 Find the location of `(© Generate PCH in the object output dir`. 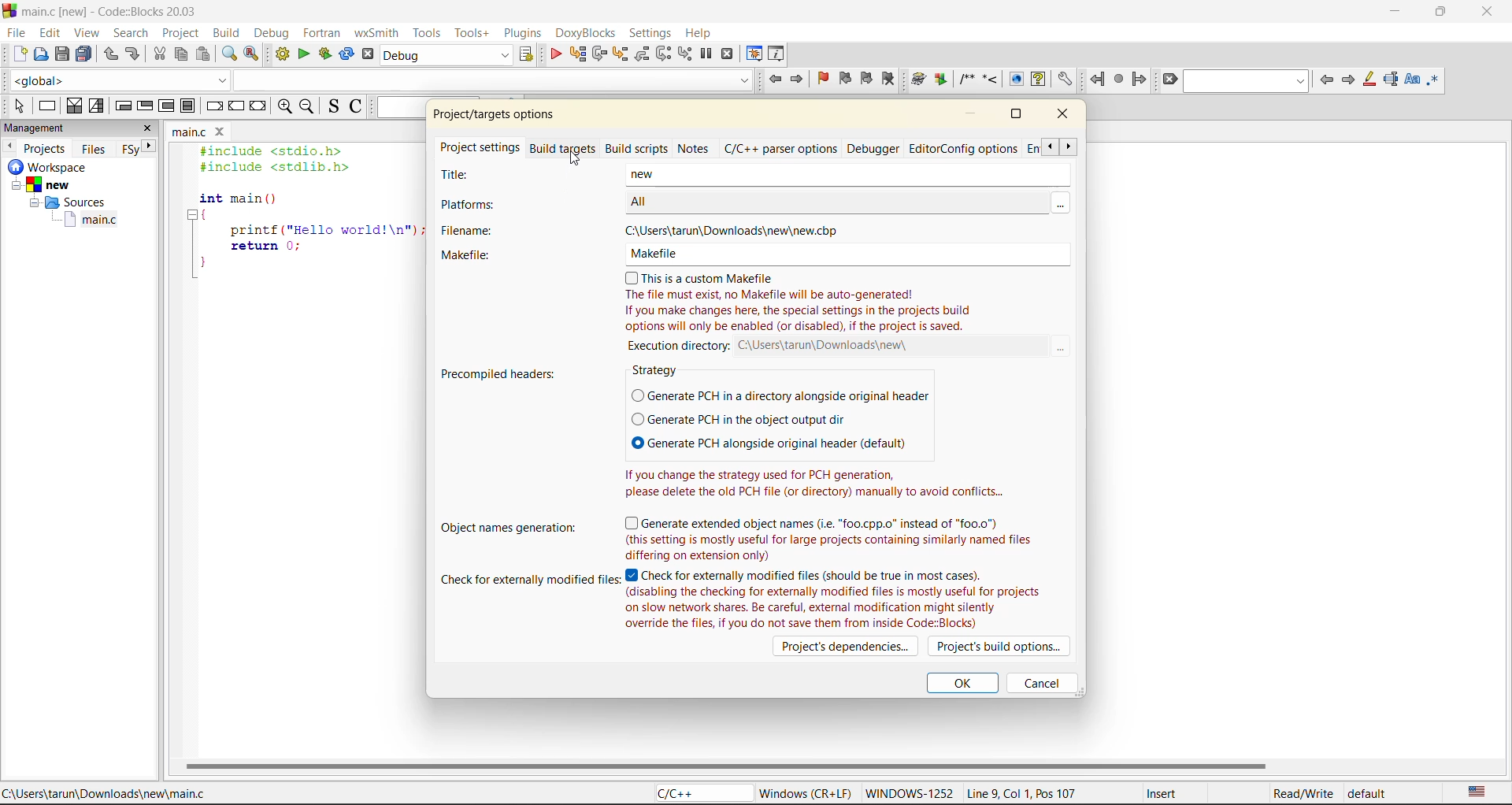

(© Generate PCH in the object output dir is located at coordinates (754, 421).